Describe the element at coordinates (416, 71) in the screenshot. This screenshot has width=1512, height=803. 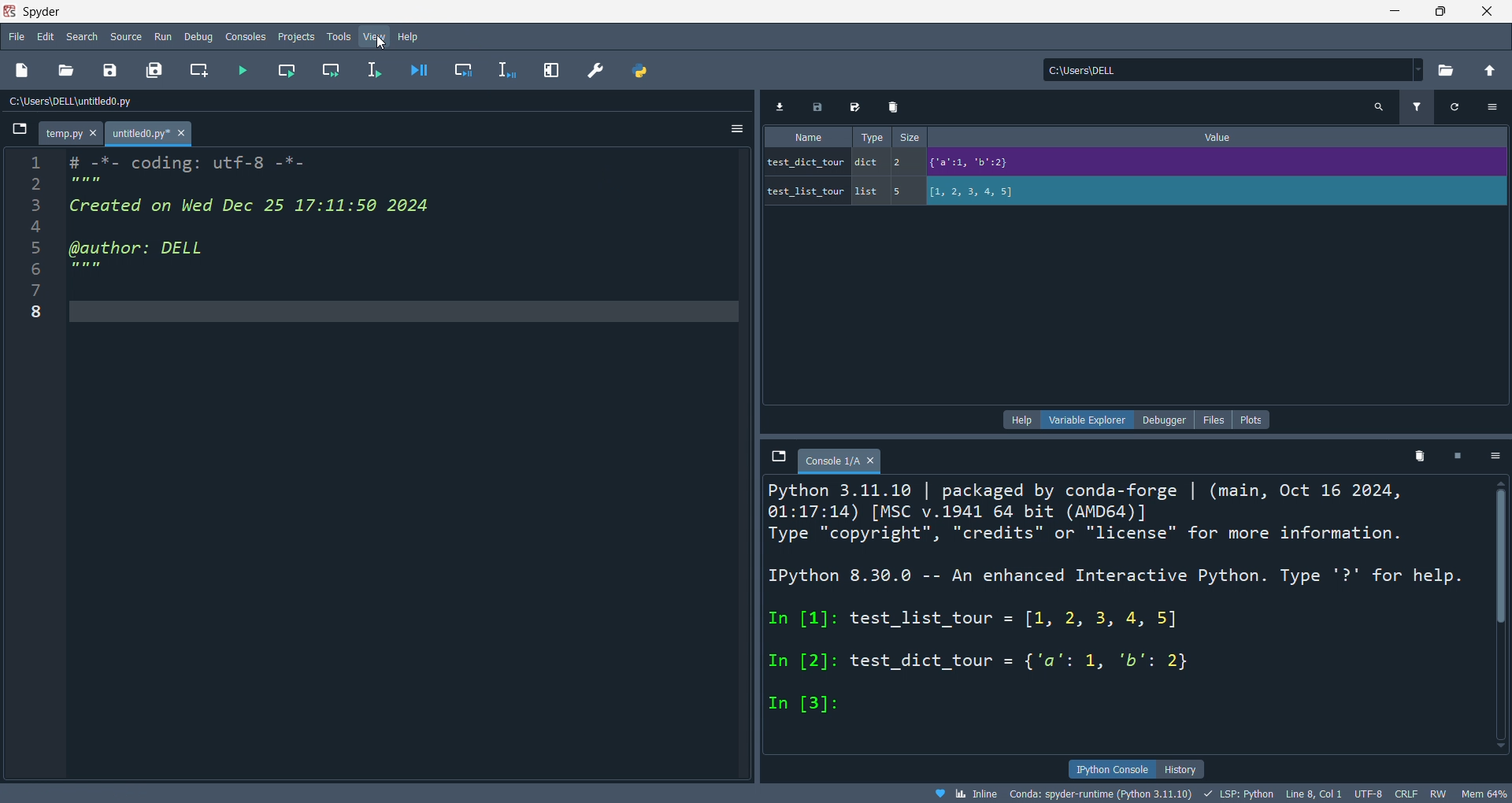
I see `debug file` at that location.